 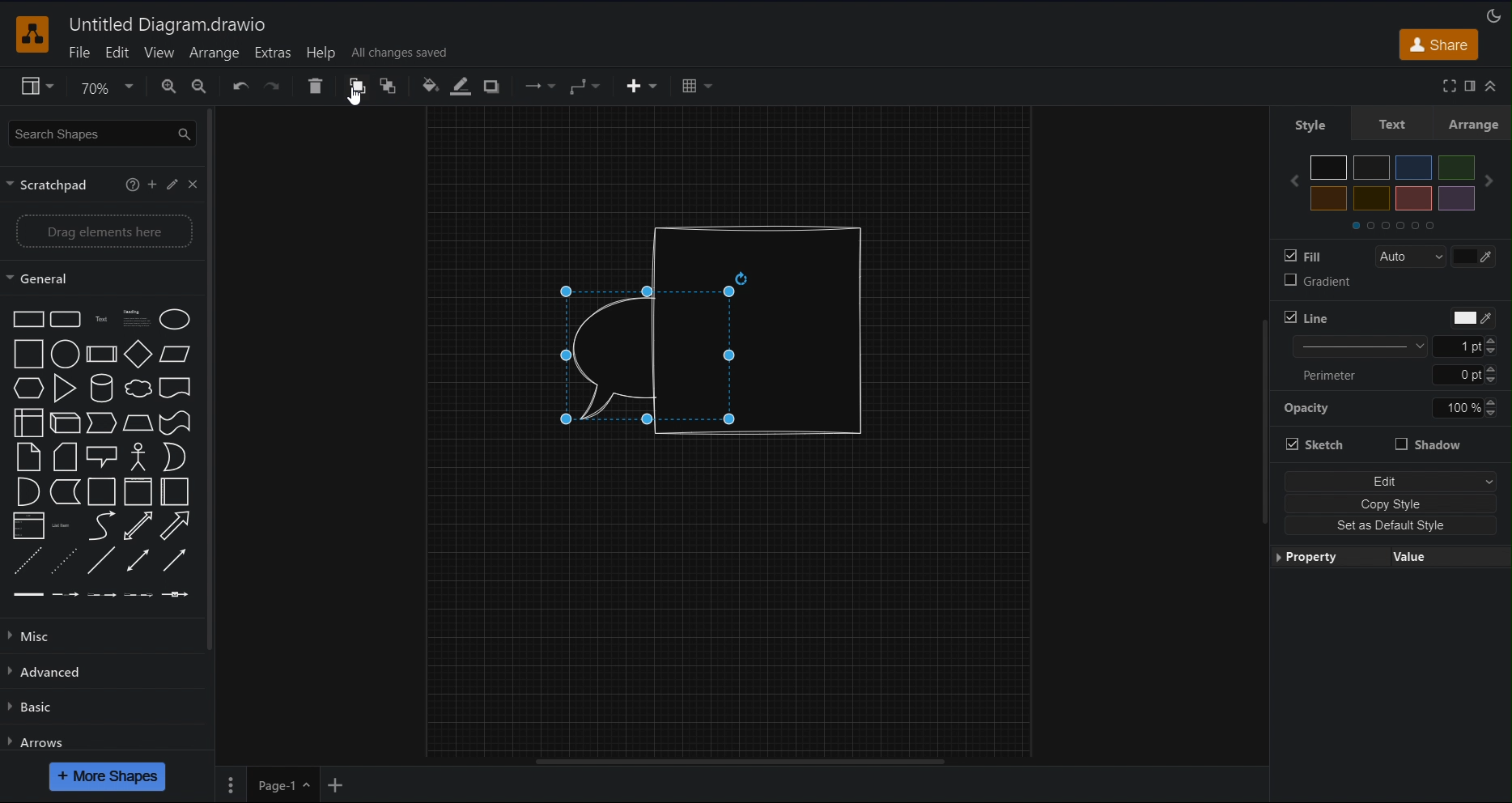 What do you see at coordinates (1457, 375) in the screenshot?
I see `Manually input perimeter` at bounding box center [1457, 375].